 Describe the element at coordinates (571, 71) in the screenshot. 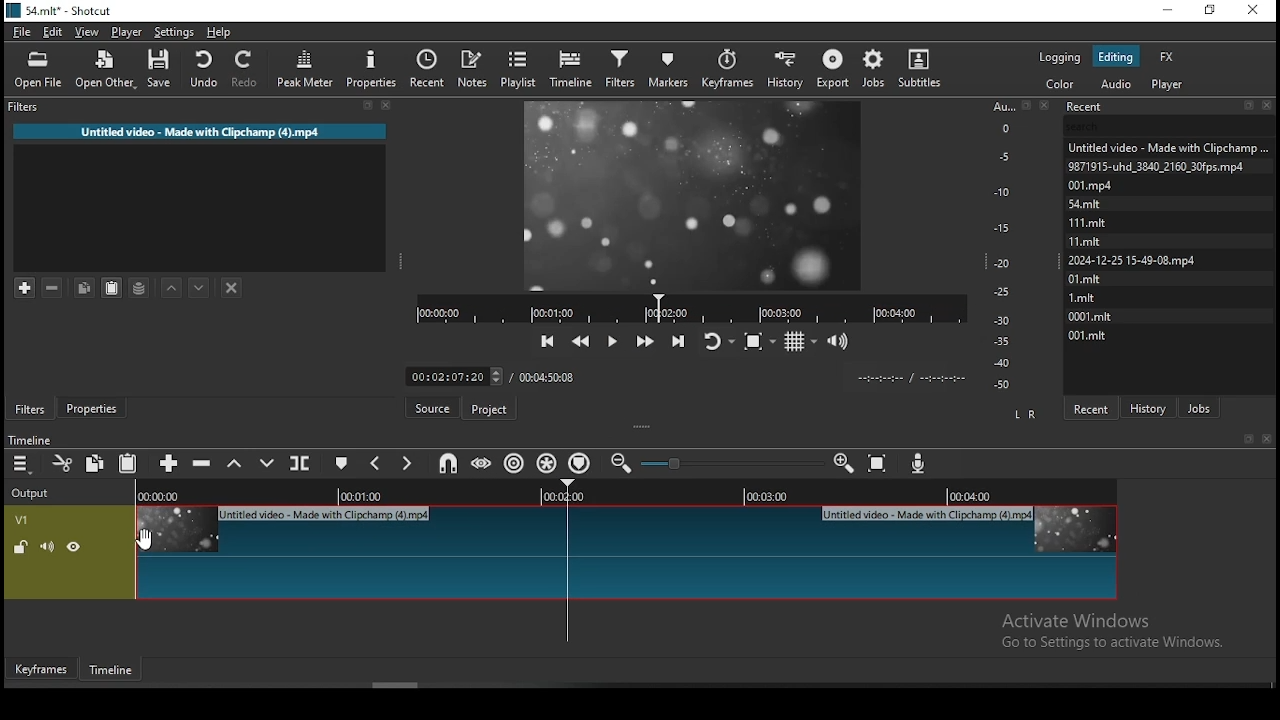

I see `timeline` at that location.